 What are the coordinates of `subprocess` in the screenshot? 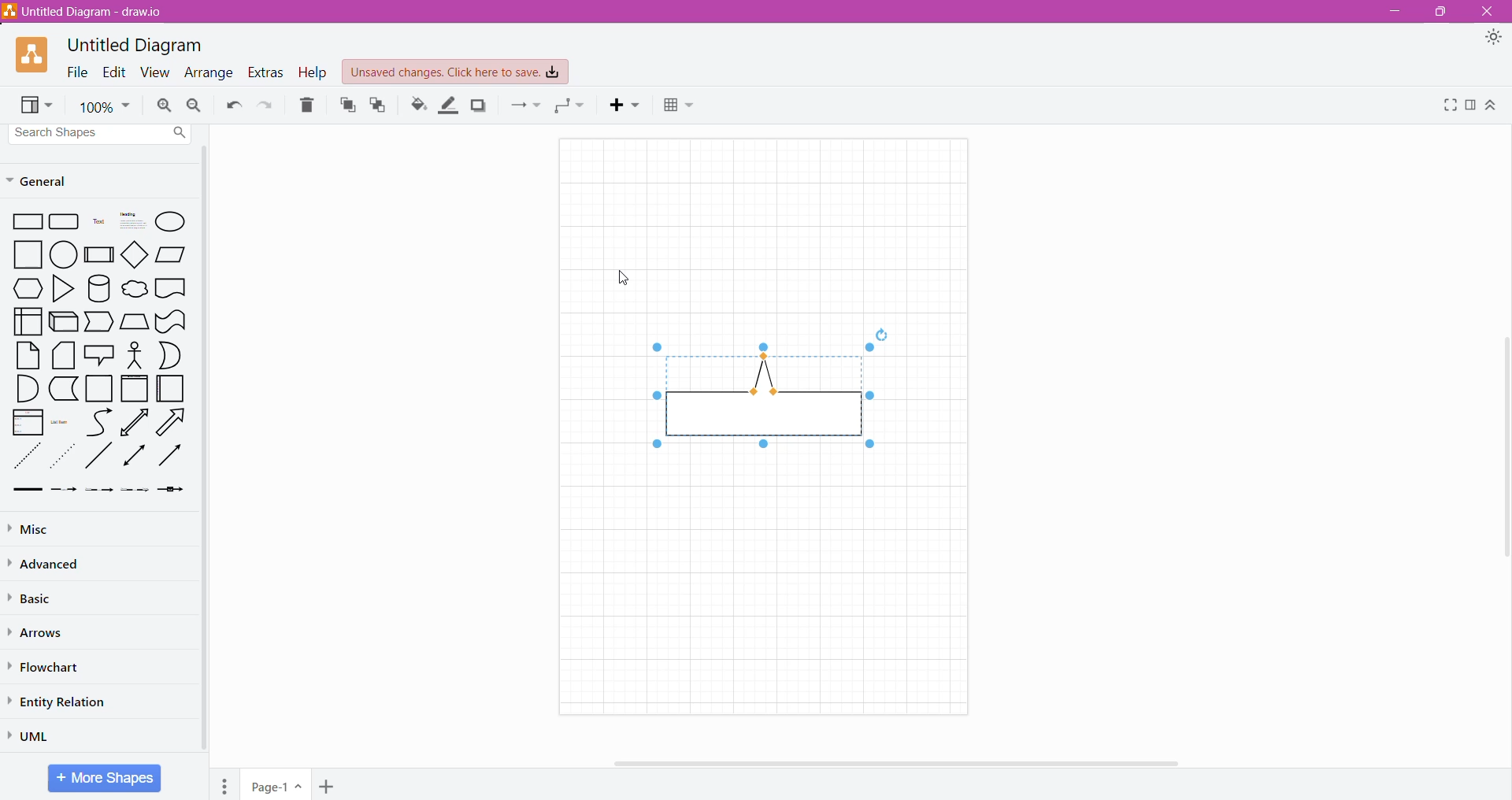 It's located at (98, 254).